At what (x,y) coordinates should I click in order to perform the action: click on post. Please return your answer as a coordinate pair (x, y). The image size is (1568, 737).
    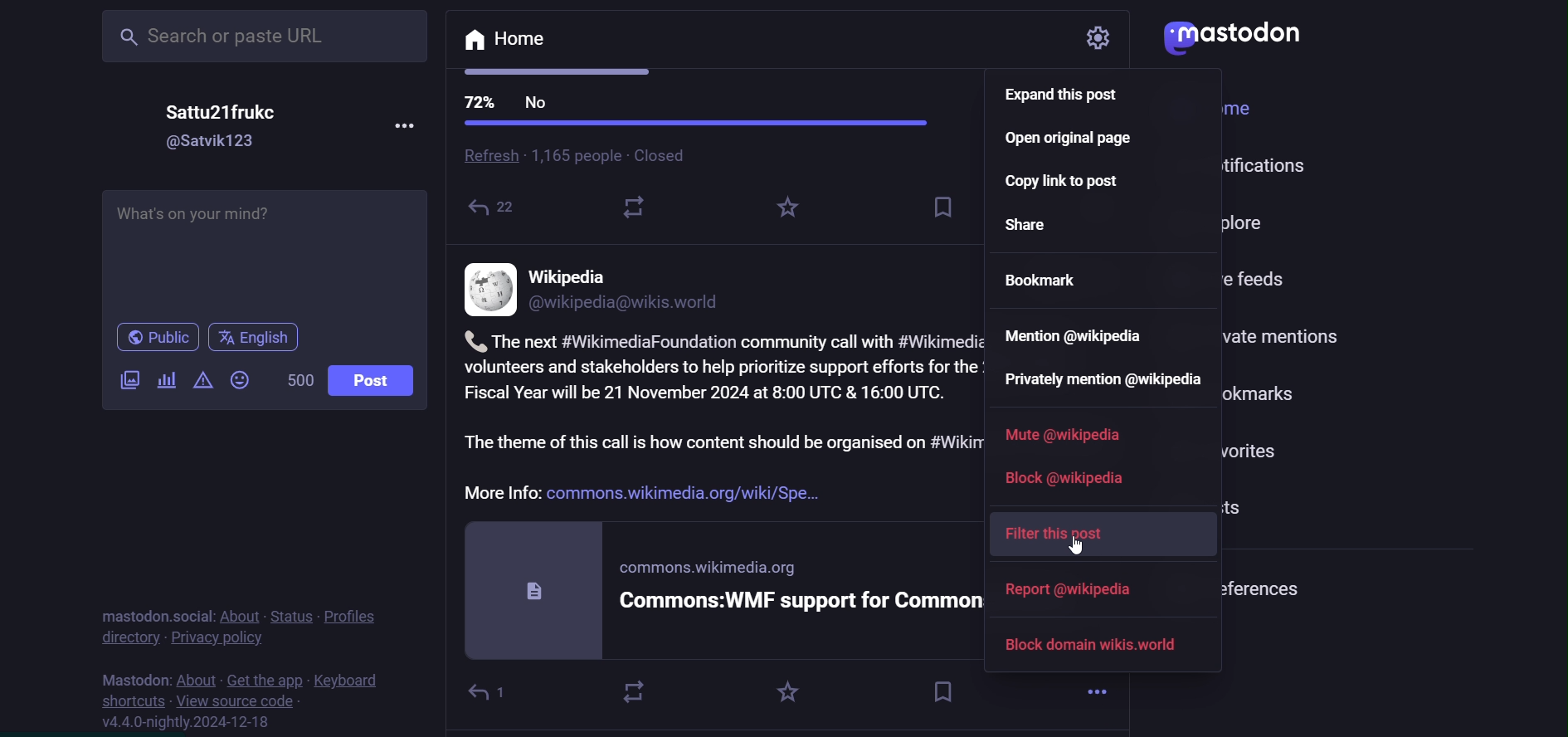
    Looking at the image, I should click on (375, 381).